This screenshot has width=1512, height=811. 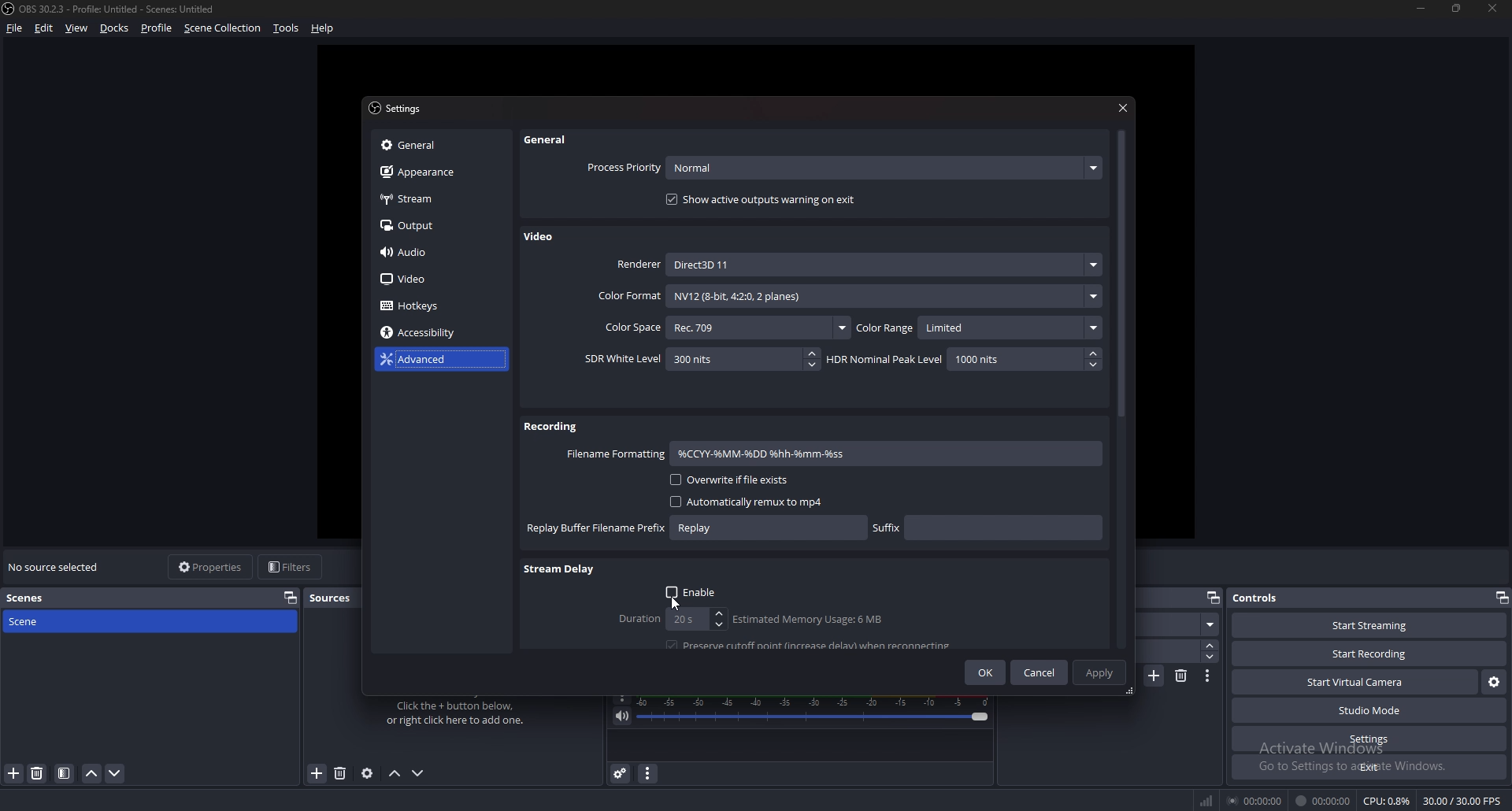 I want to click on no sources selected, so click(x=57, y=567).